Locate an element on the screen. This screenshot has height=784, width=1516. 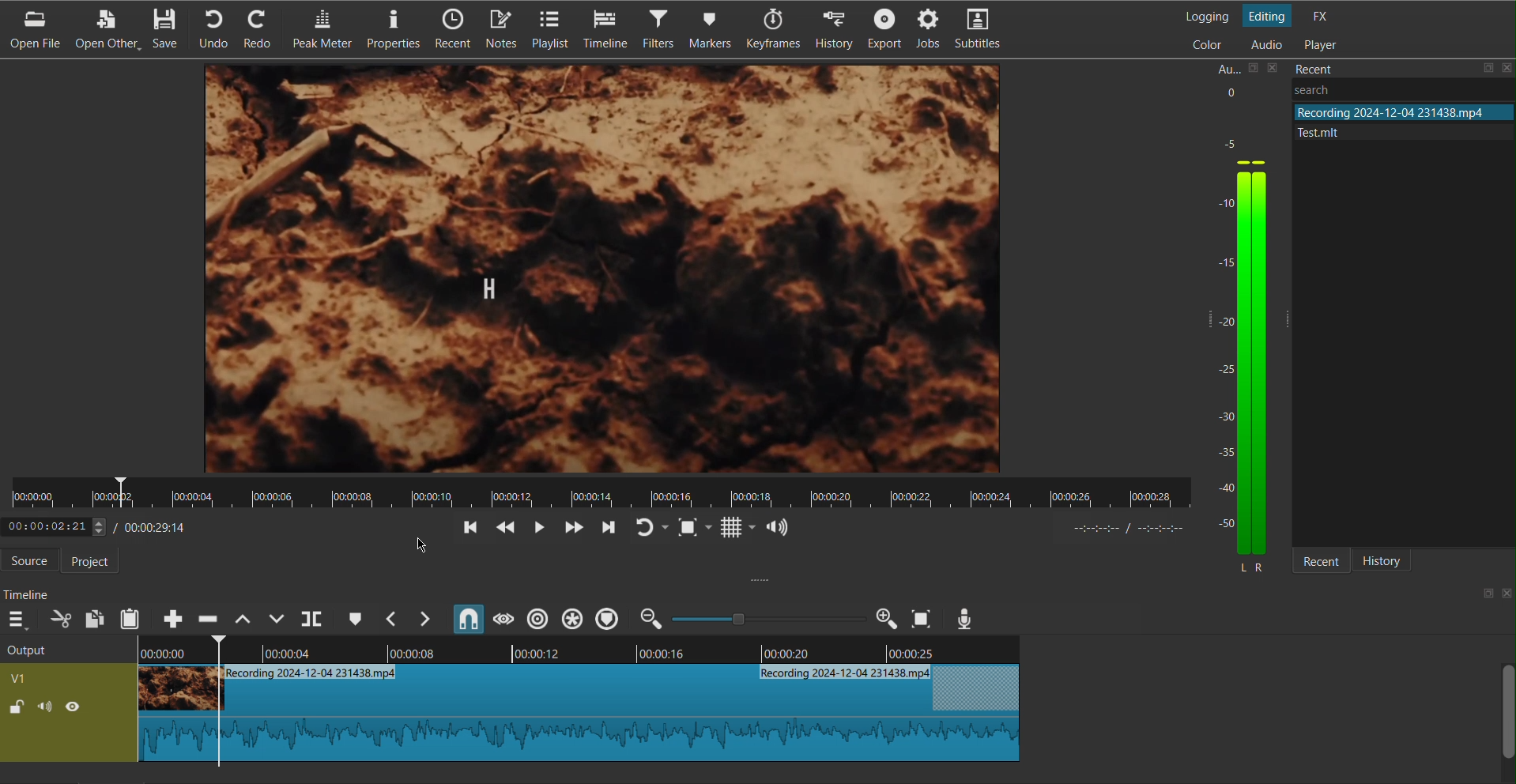
Go back is located at coordinates (470, 529).